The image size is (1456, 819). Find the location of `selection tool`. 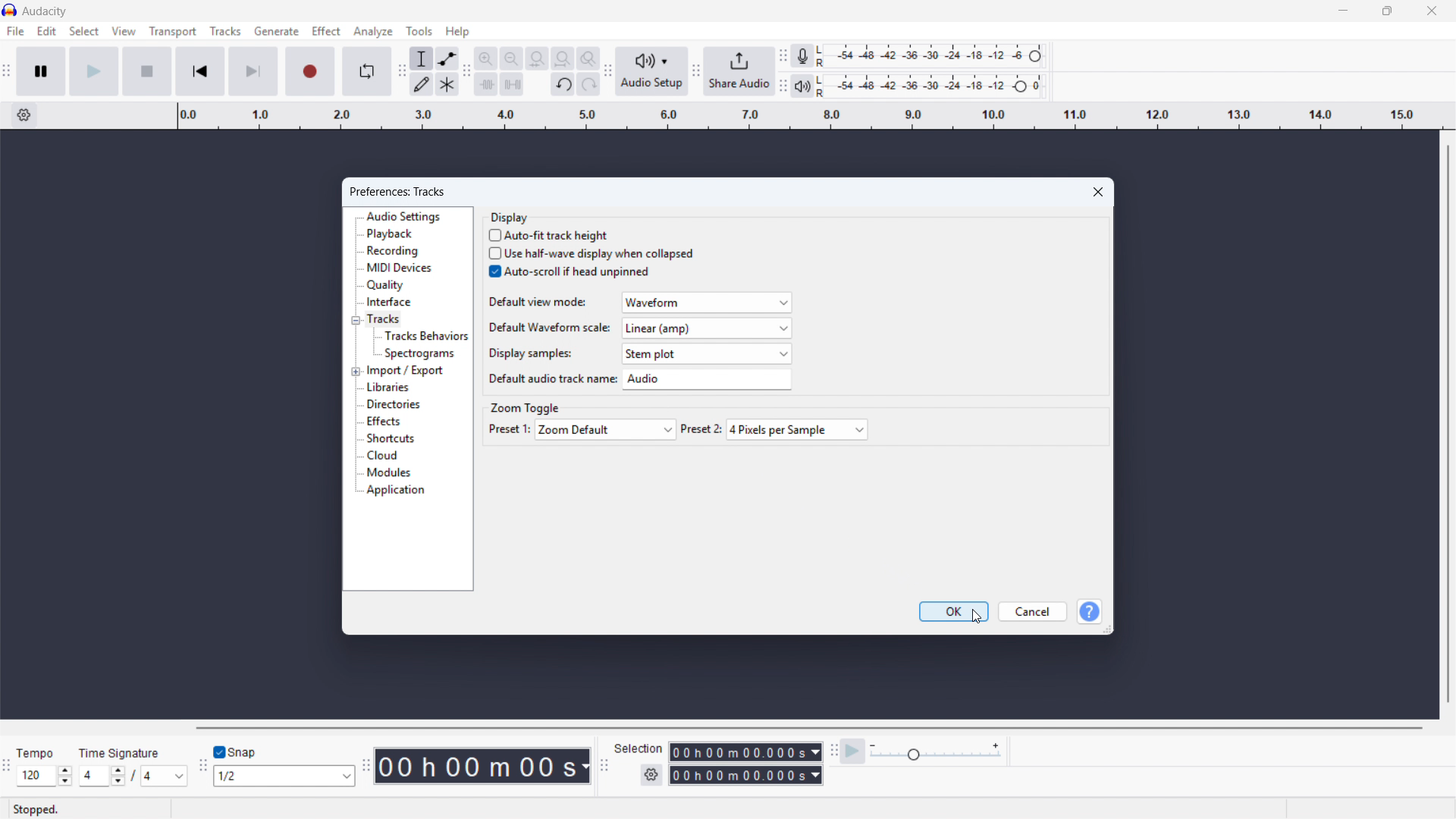

selection tool is located at coordinates (422, 58).